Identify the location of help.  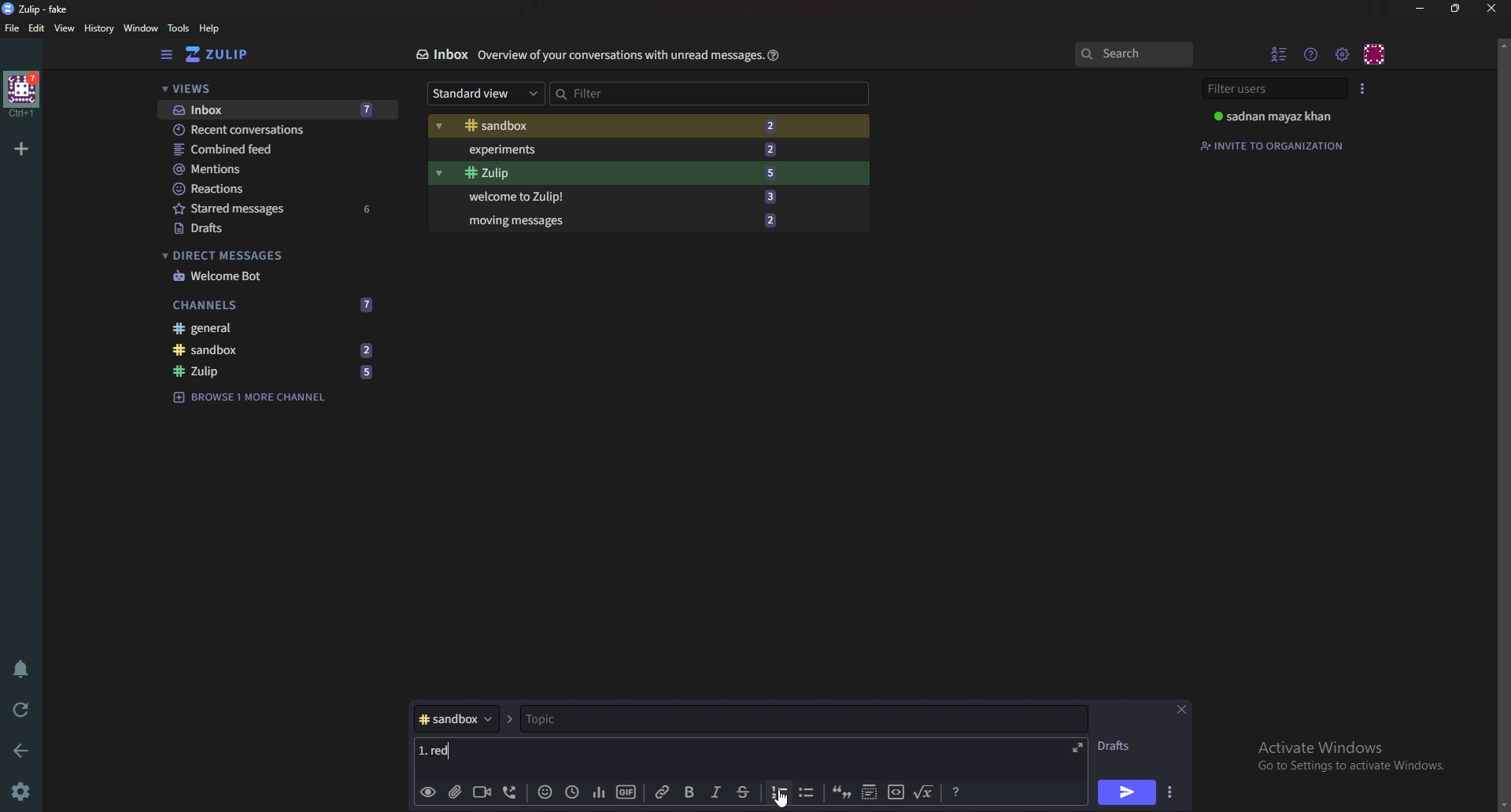
(209, 29).